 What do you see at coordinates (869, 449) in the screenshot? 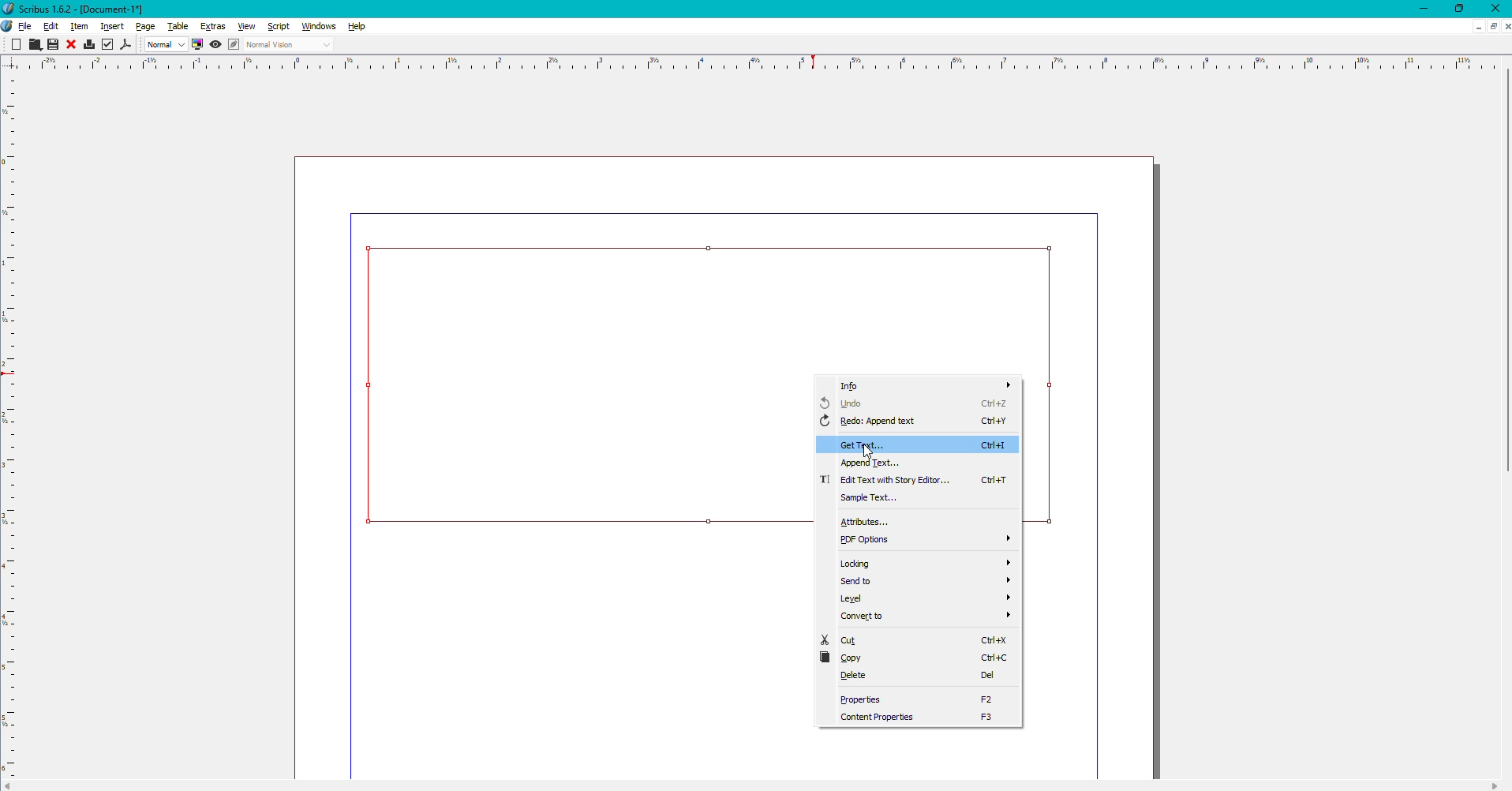
I see `cursor` at bounding box center [869, 449].